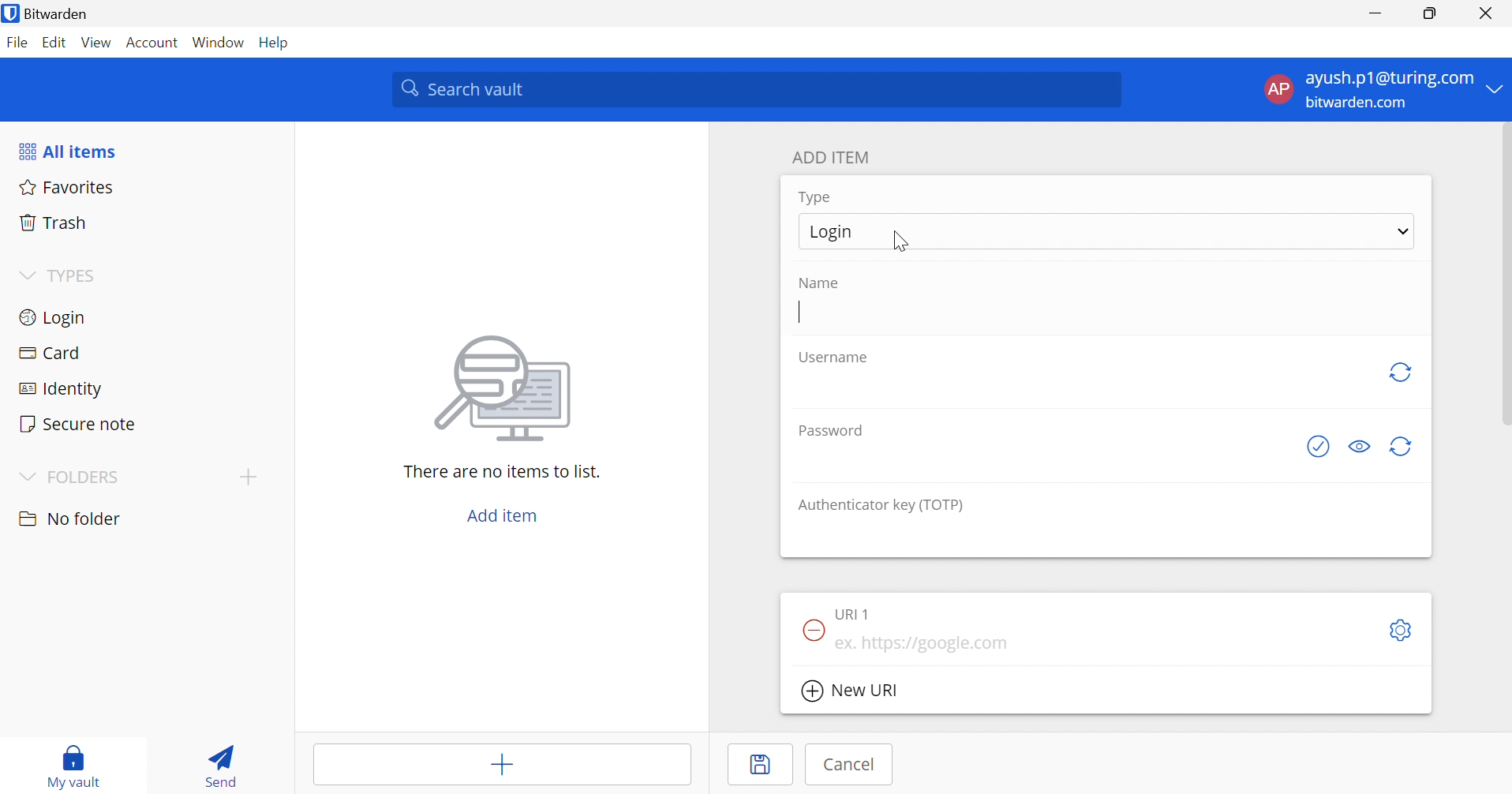 This screenshot has width=1512, height=794. Describe the element at coordinates (89, 477) in the screenshot. I see `FOLDERS` at that location.